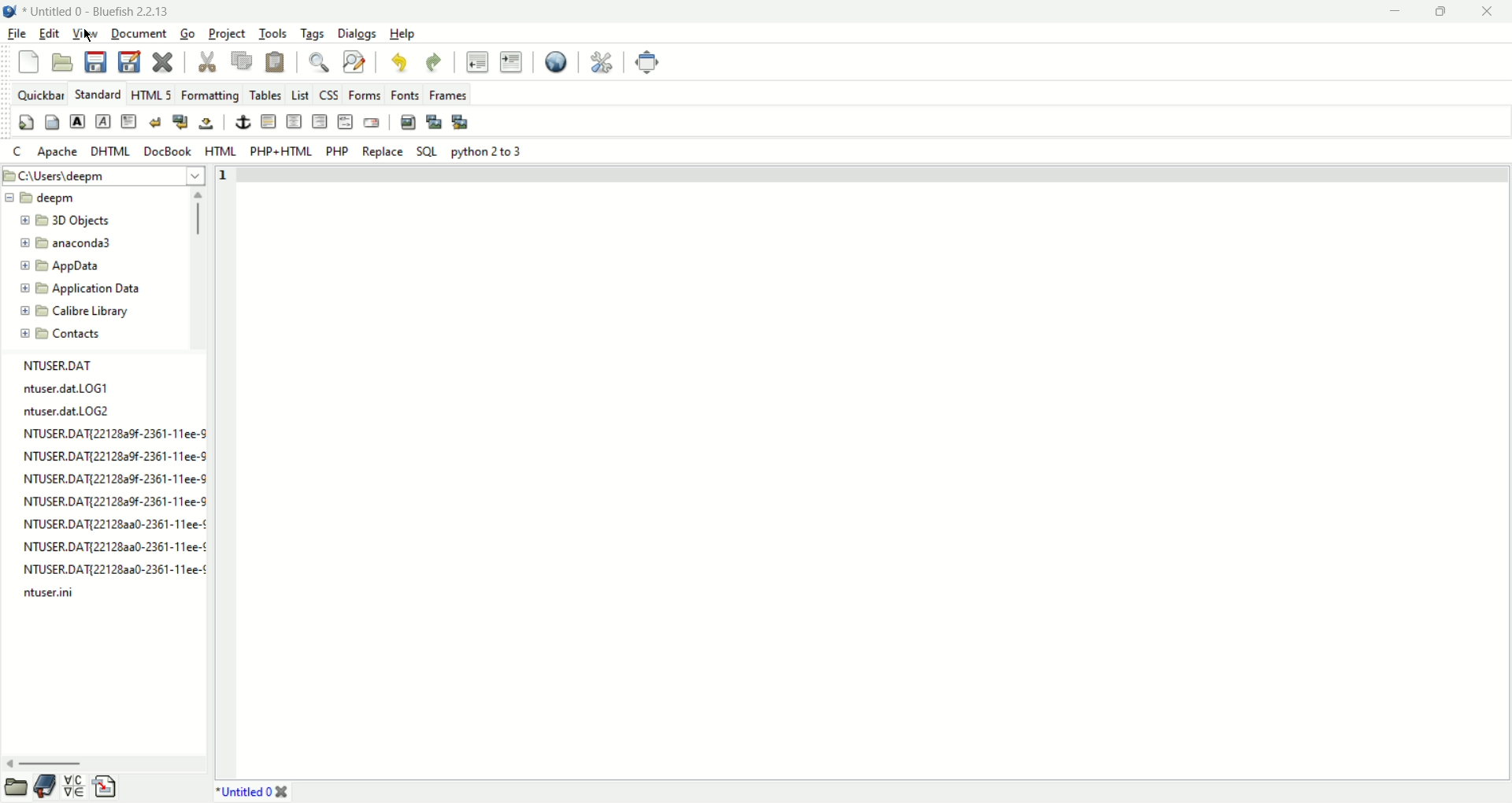 Image resolution: width=1512 pixels, height=803 pixels. What do you see at coordinates (229, 35) in the screenshot?
I see `project` at bounding box center [229, 35].